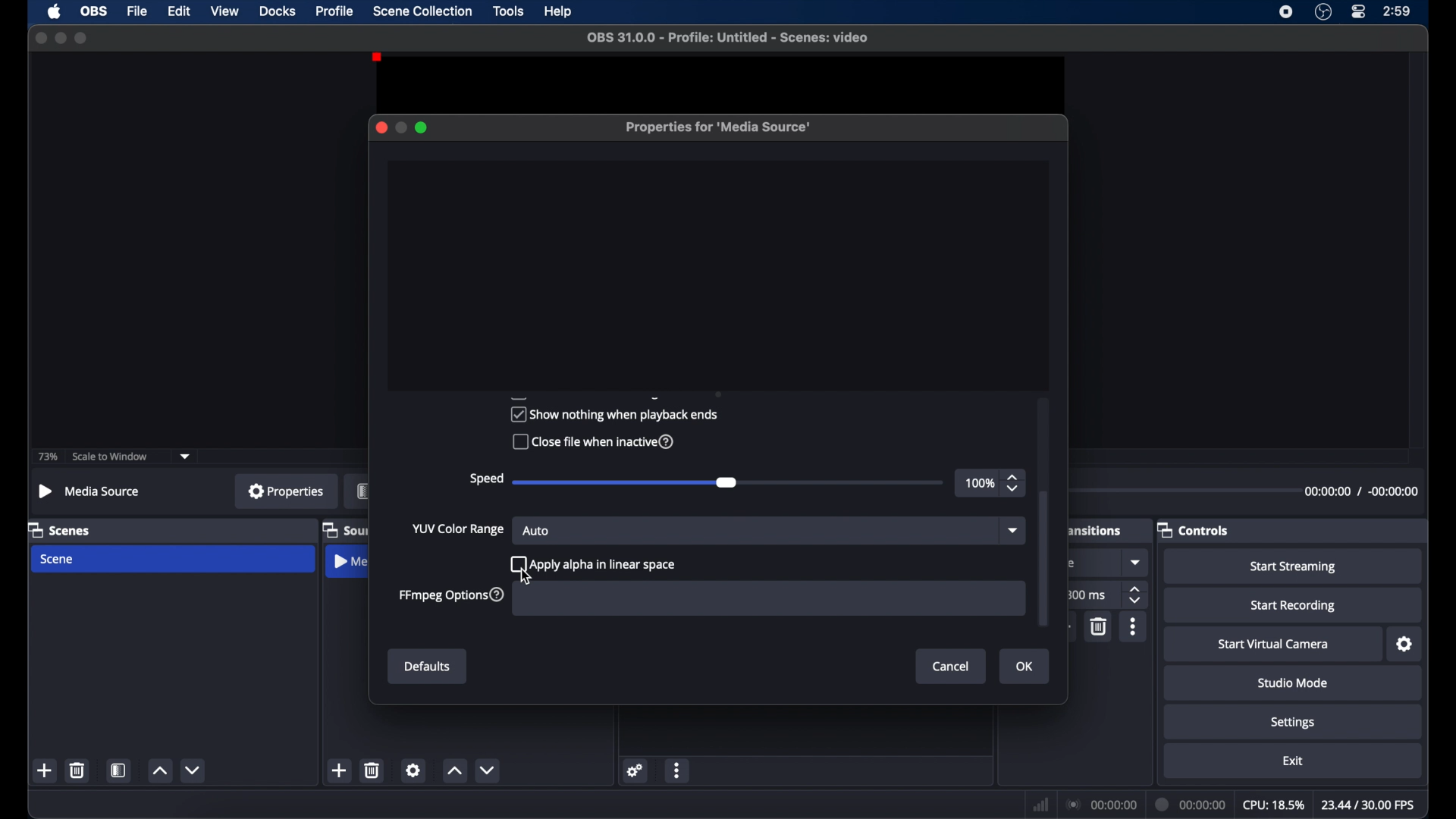 The width and height of the screenshot is (1456, 819). I want to click on close, so click(381, 127).